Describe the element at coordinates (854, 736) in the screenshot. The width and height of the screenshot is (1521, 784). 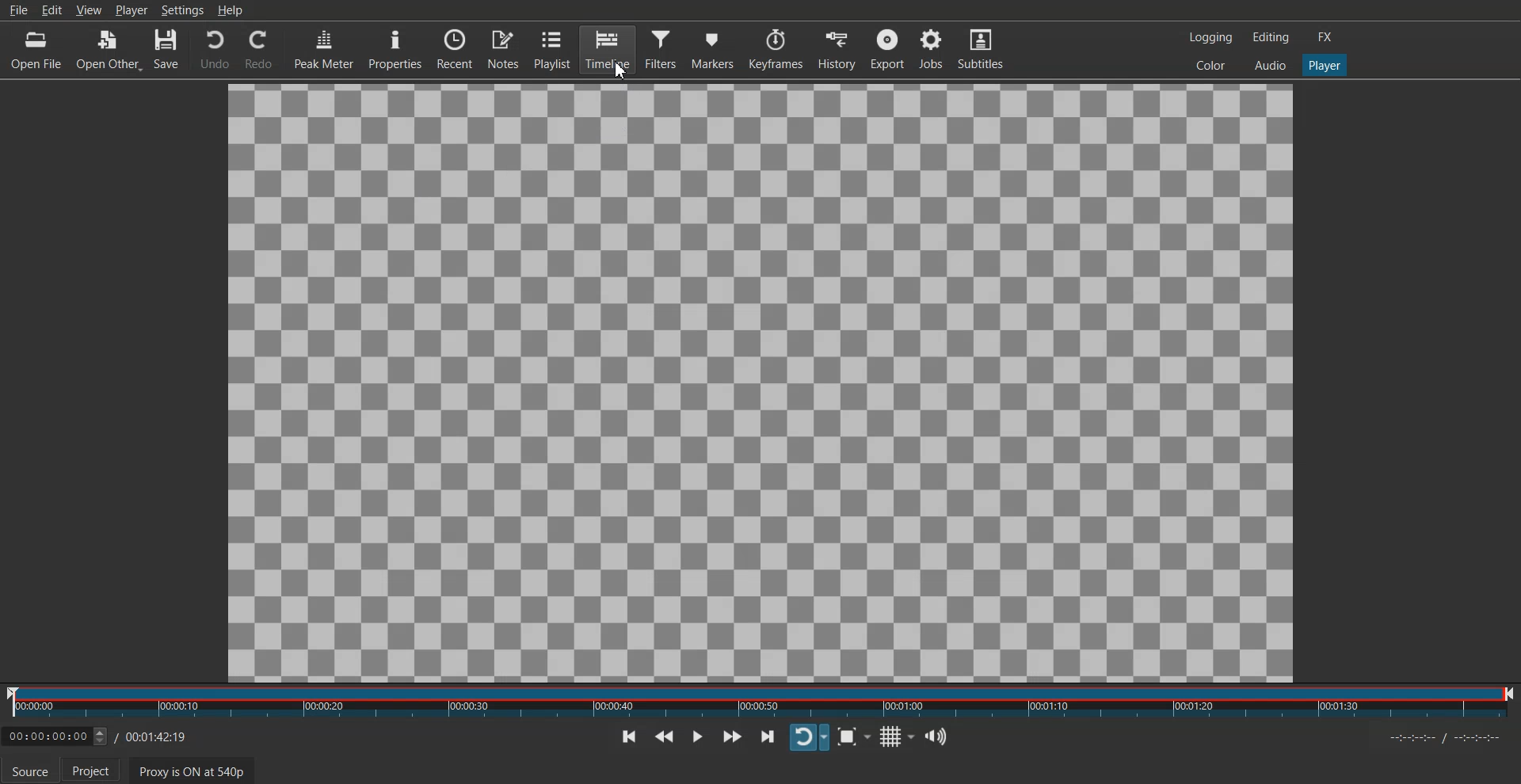
I see `Toggle Zoom` at that location.